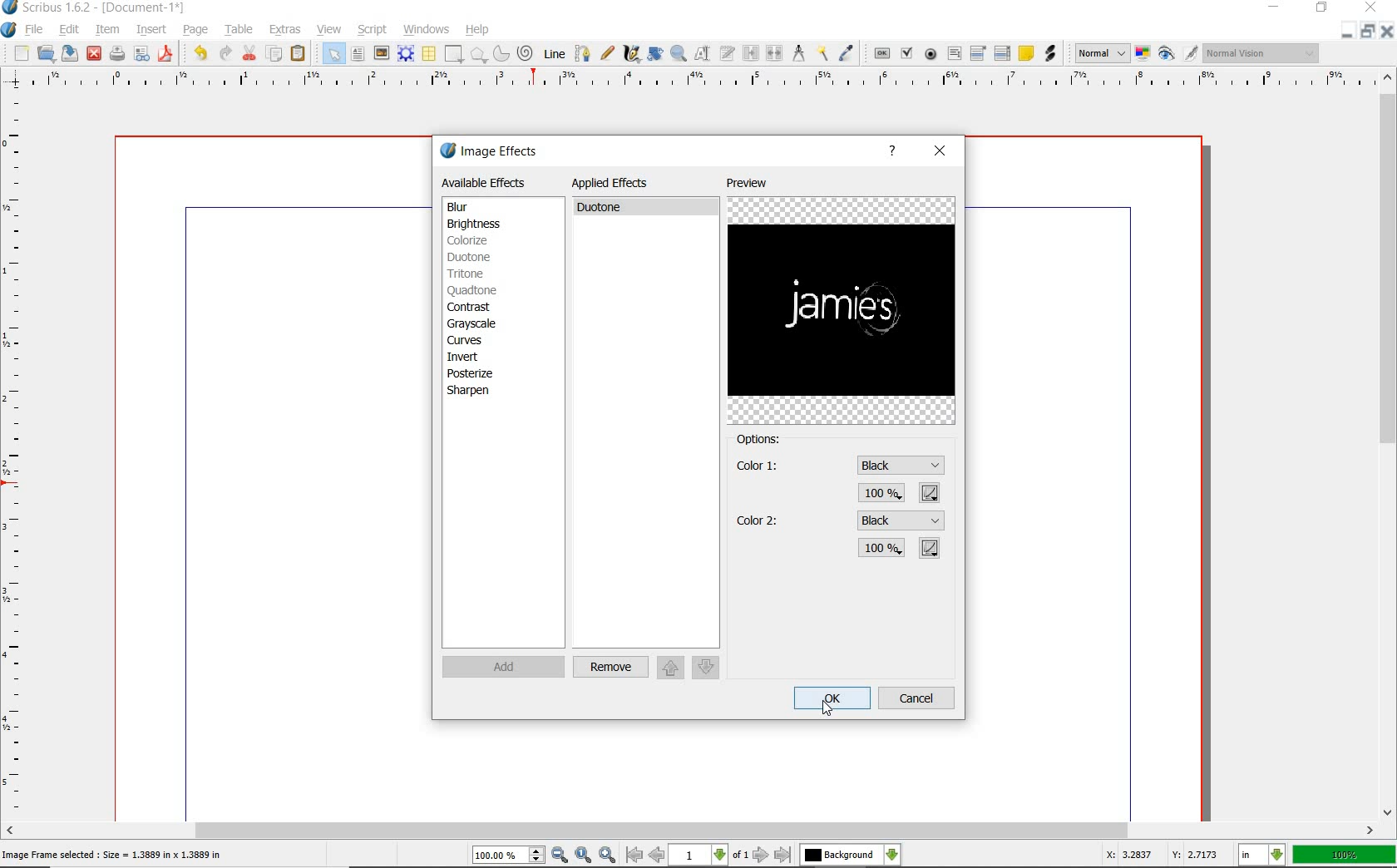 Image resolution: width=1397 pixels, height=868 pixels. I want to click on save, so click(71, 53).